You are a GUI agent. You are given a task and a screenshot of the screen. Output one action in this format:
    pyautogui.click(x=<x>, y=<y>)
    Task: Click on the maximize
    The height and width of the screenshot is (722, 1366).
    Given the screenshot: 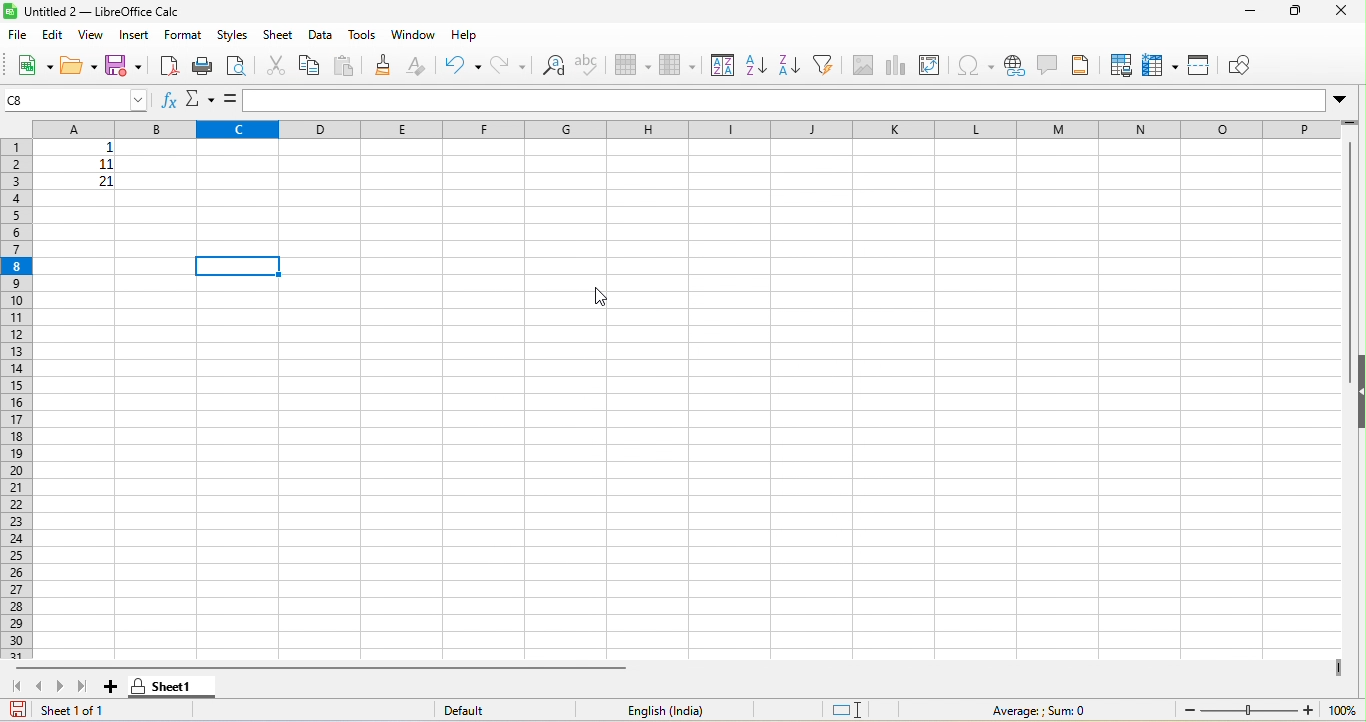 What is the action you would take?
    pyautogui.click(x=1297, y=13)
    